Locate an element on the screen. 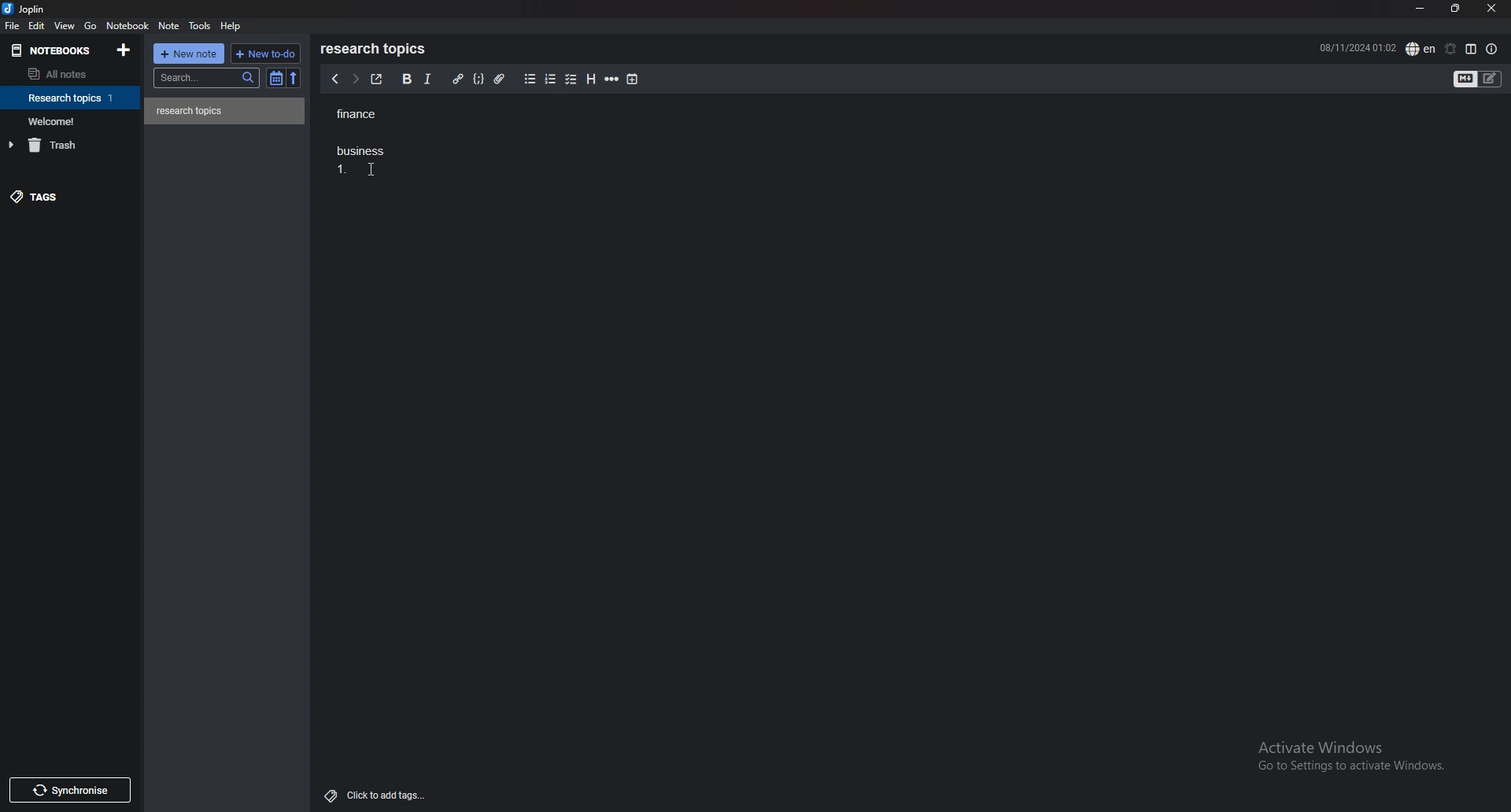  research topics is located at coordinates (376, 49).